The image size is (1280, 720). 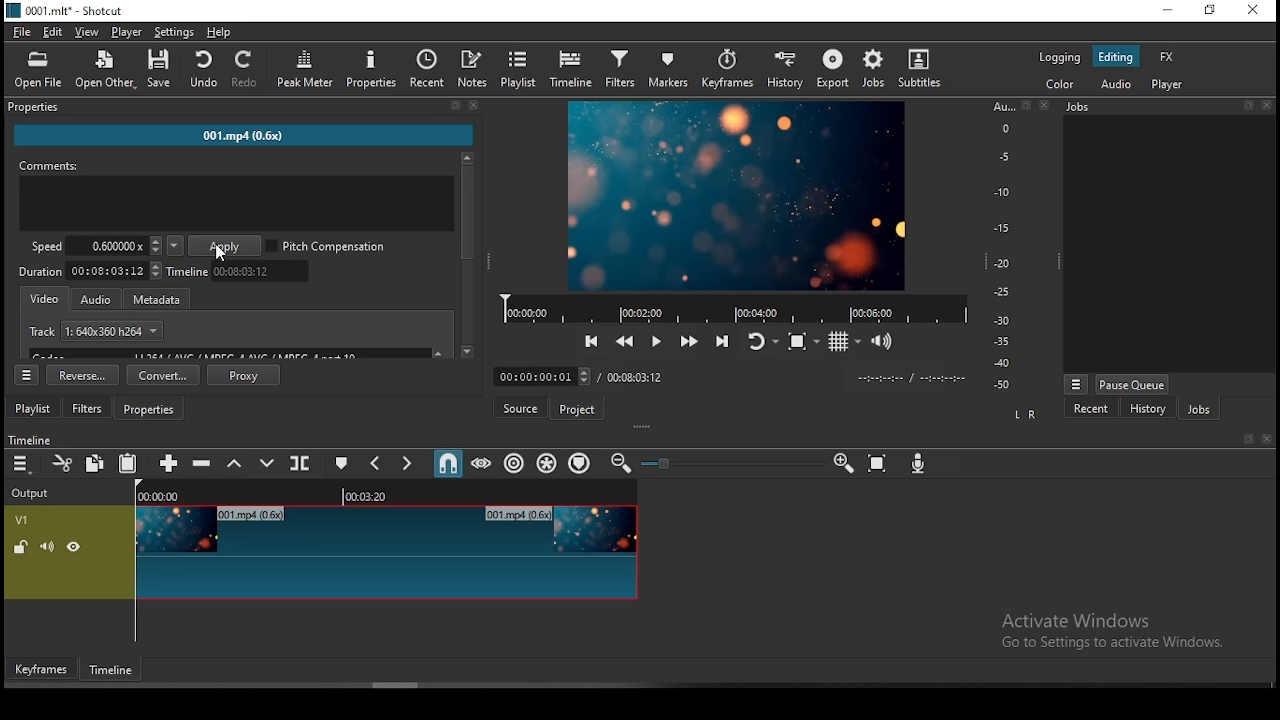 What do you see at coordinates (377, 463) in the screenshot?
I see `previous marker` at bounding box center [377, 463].